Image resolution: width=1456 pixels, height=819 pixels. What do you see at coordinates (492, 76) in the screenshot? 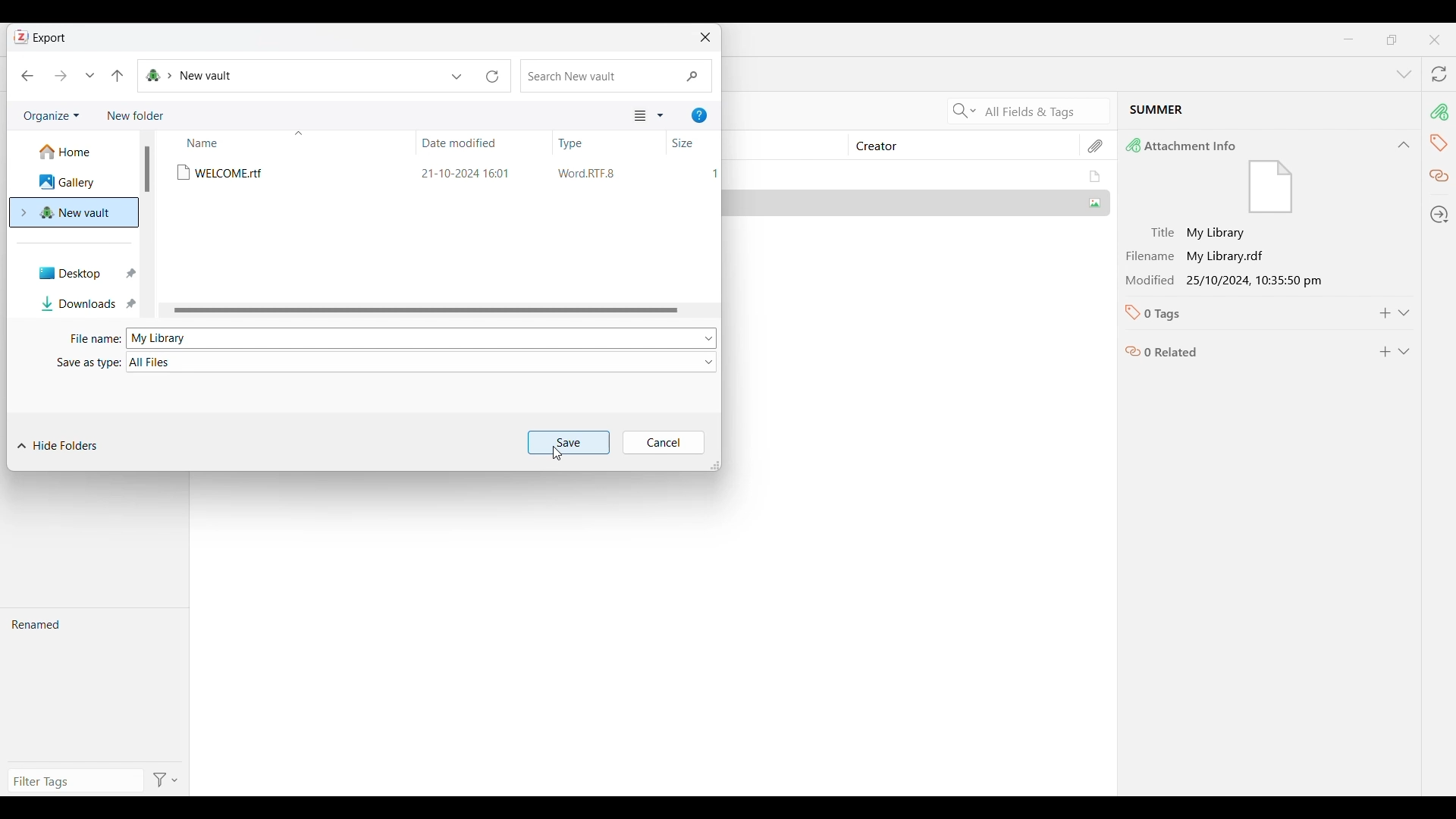
I see `Refresh` at bounding box center [492, 76].